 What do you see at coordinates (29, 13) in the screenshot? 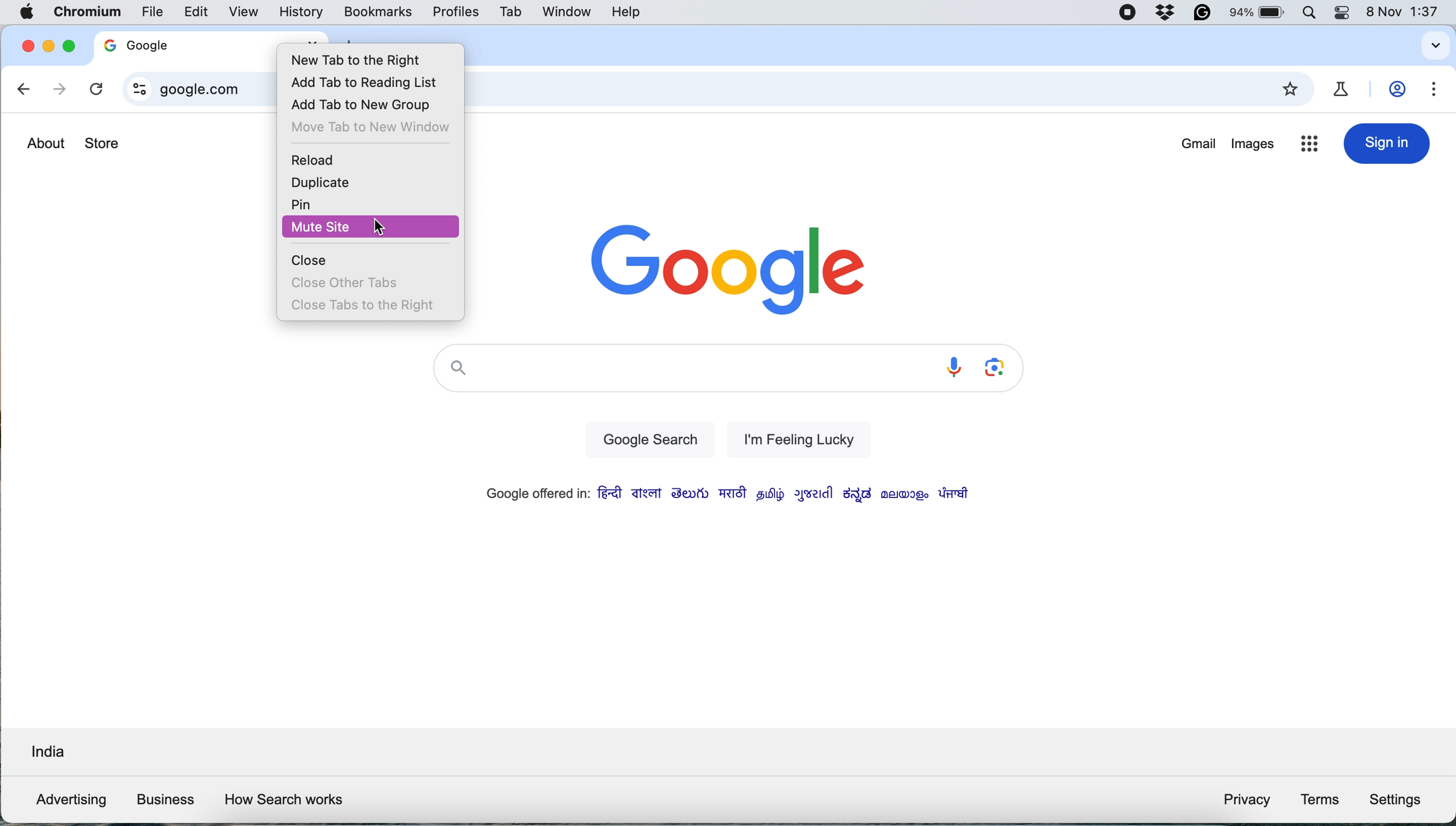
I see `system logo` at bounding box center [29, 13].